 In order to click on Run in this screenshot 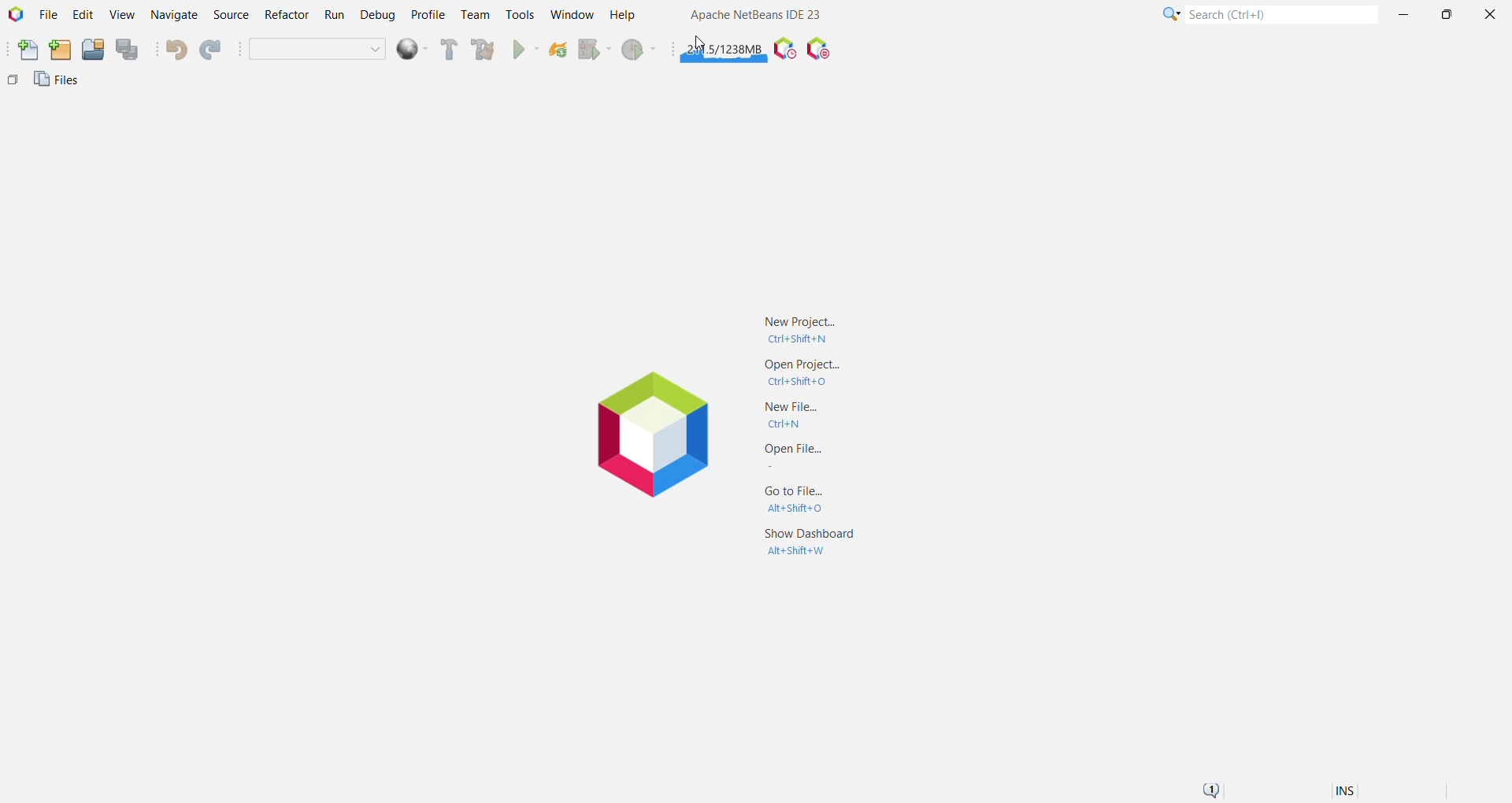, I will do `click(335, 17)`.